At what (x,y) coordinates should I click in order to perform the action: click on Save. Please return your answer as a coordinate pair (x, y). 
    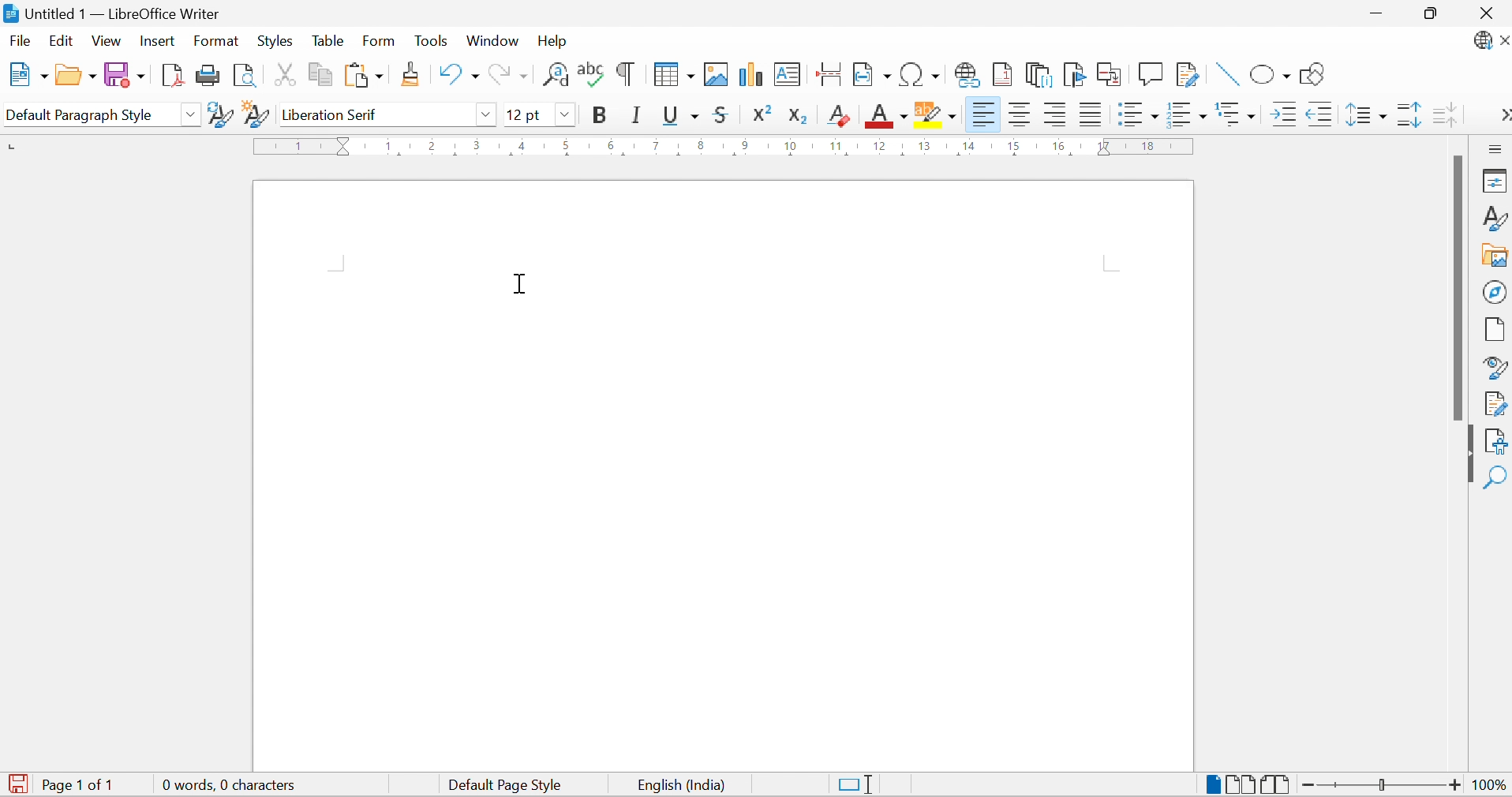
    Looking at the image, I should click on (123, 74).